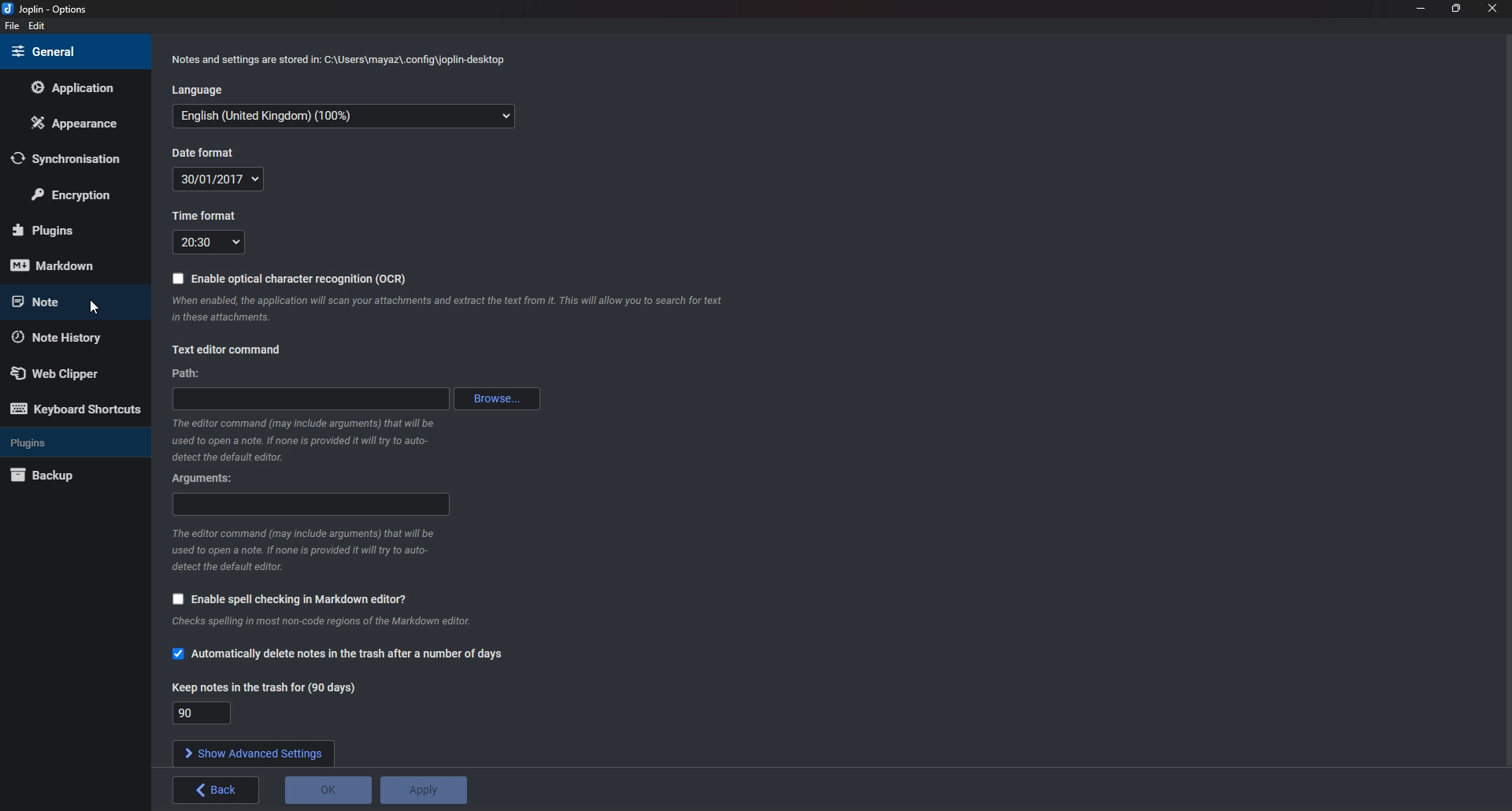  I want to click on back, so click(217, 790).